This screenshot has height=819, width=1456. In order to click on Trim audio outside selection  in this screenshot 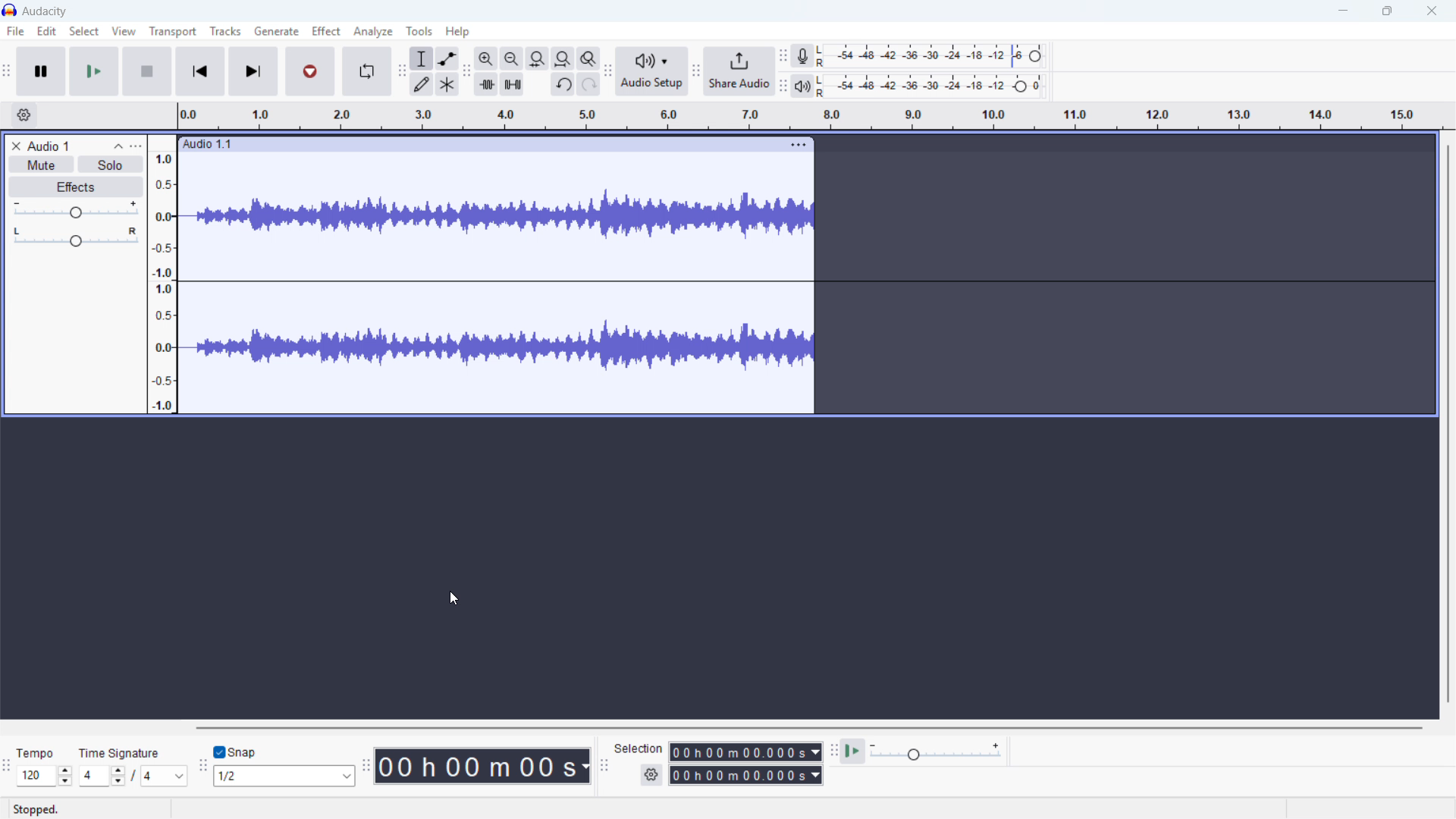, I will do `click(485, 84)`.